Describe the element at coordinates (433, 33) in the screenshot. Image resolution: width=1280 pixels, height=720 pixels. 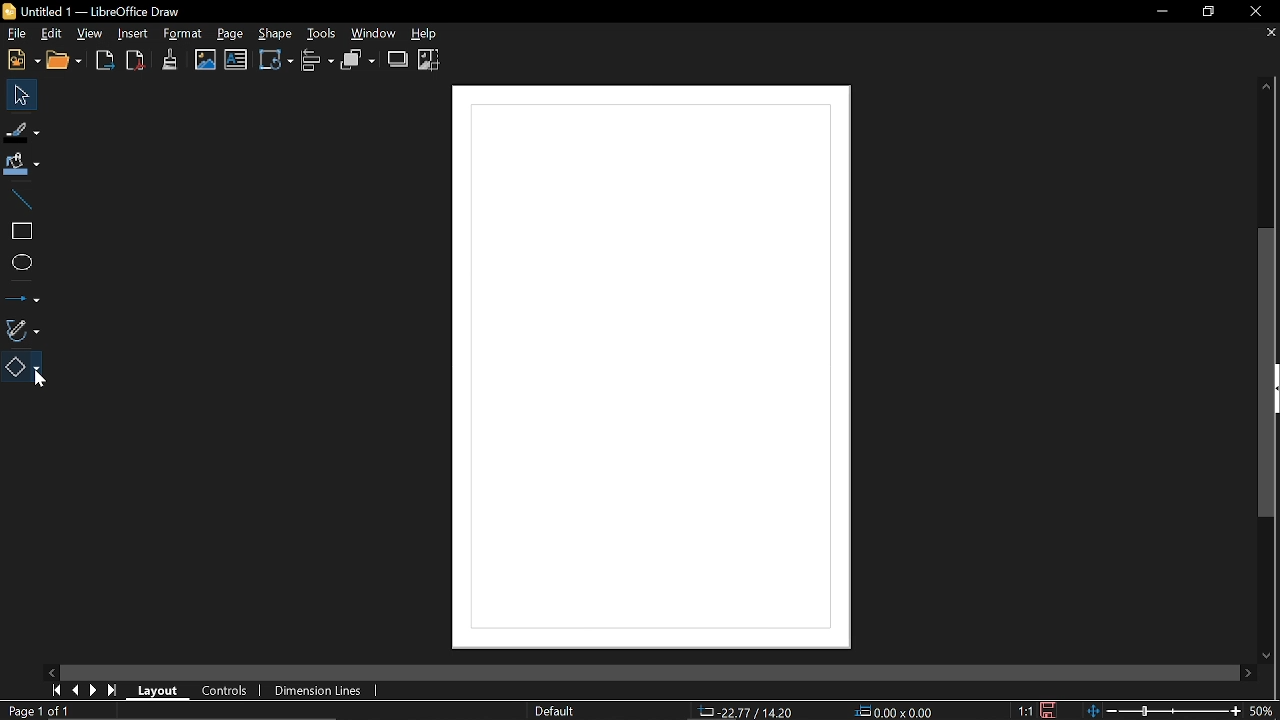
I see `Help` at that location.